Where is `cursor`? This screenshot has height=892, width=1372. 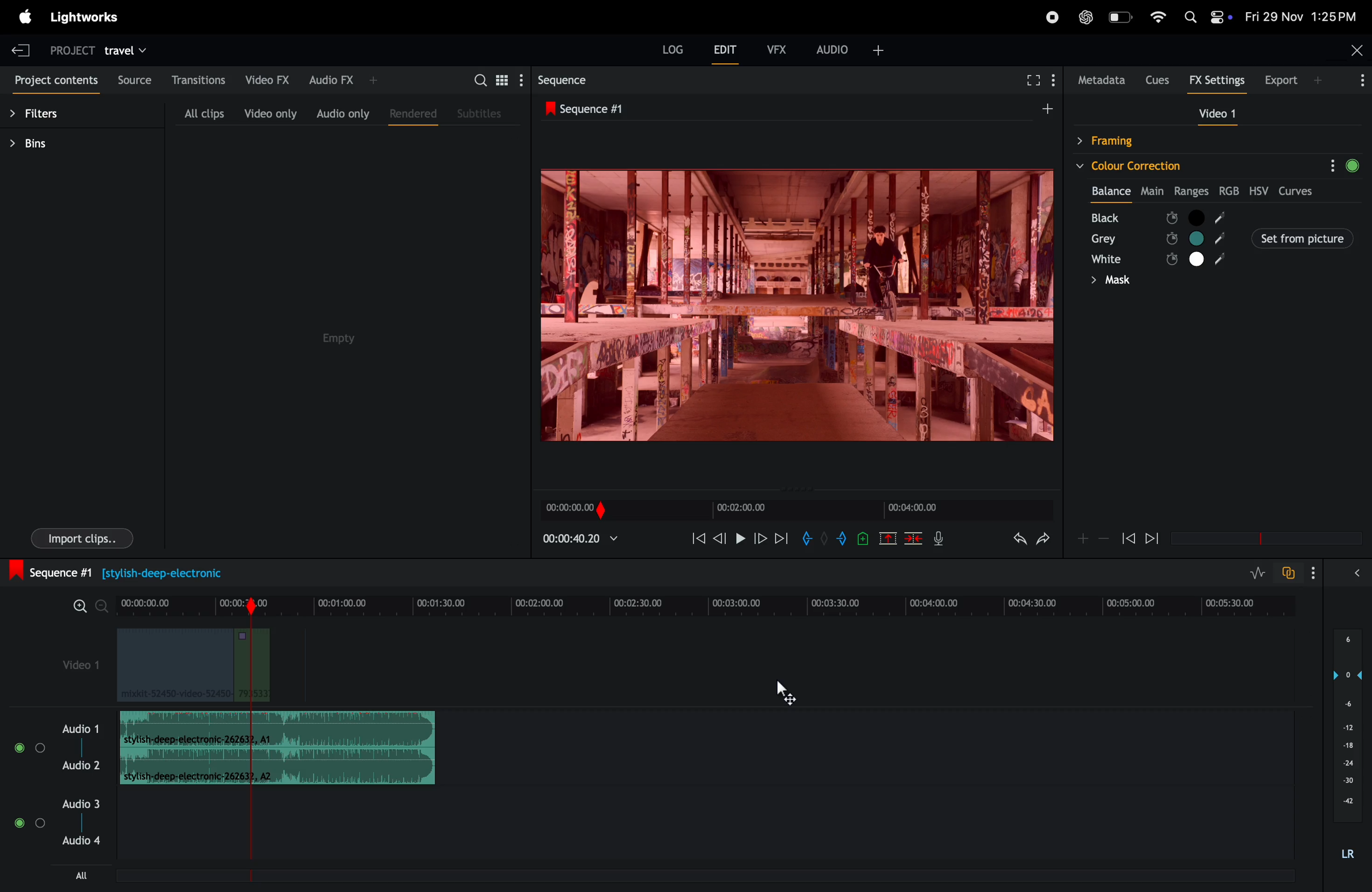
cursor is located at coordinates (787, 693).